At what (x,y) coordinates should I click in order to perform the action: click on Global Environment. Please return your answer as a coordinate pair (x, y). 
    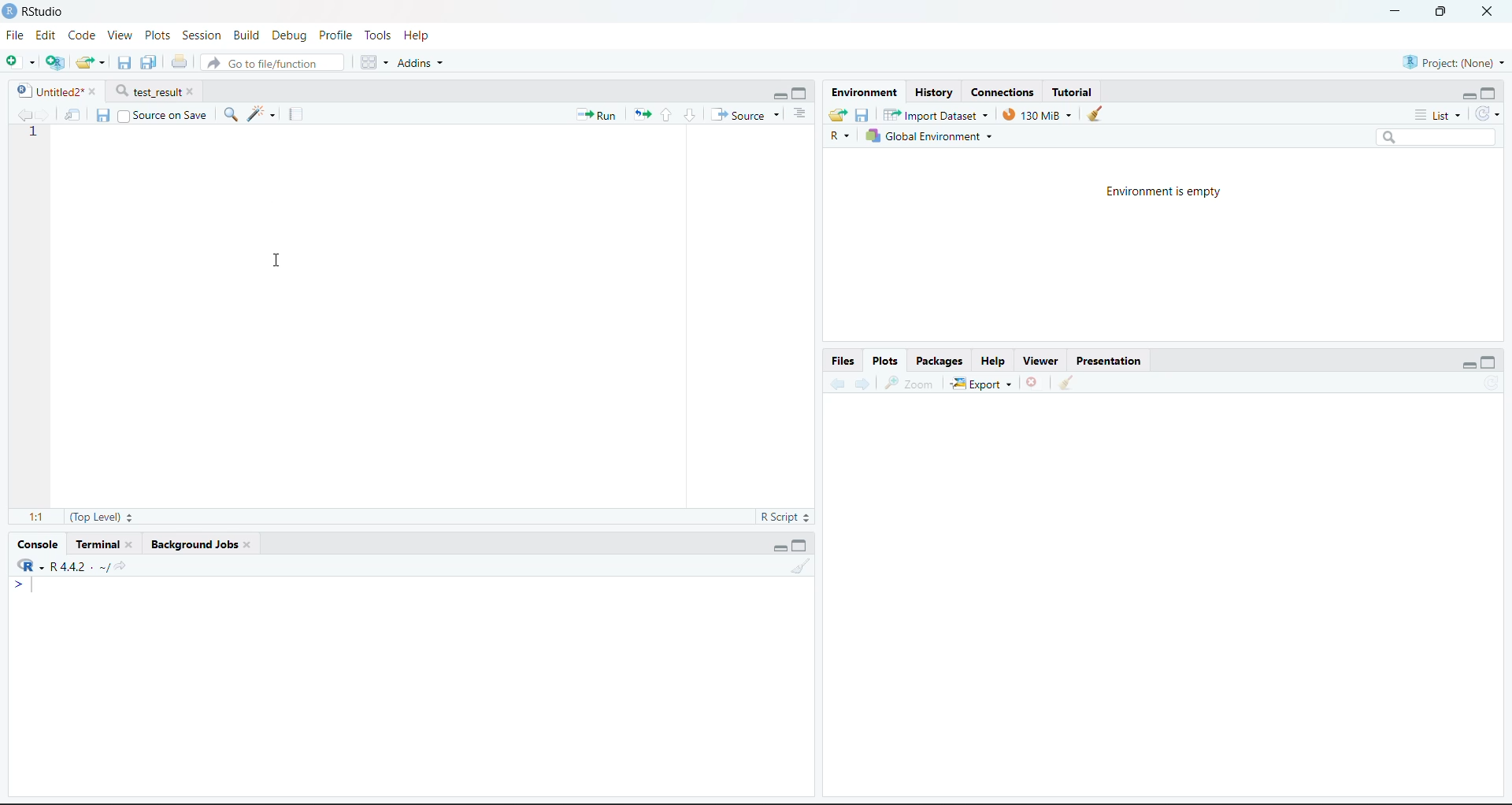
    Looking at the image, I should click on (929, 136).